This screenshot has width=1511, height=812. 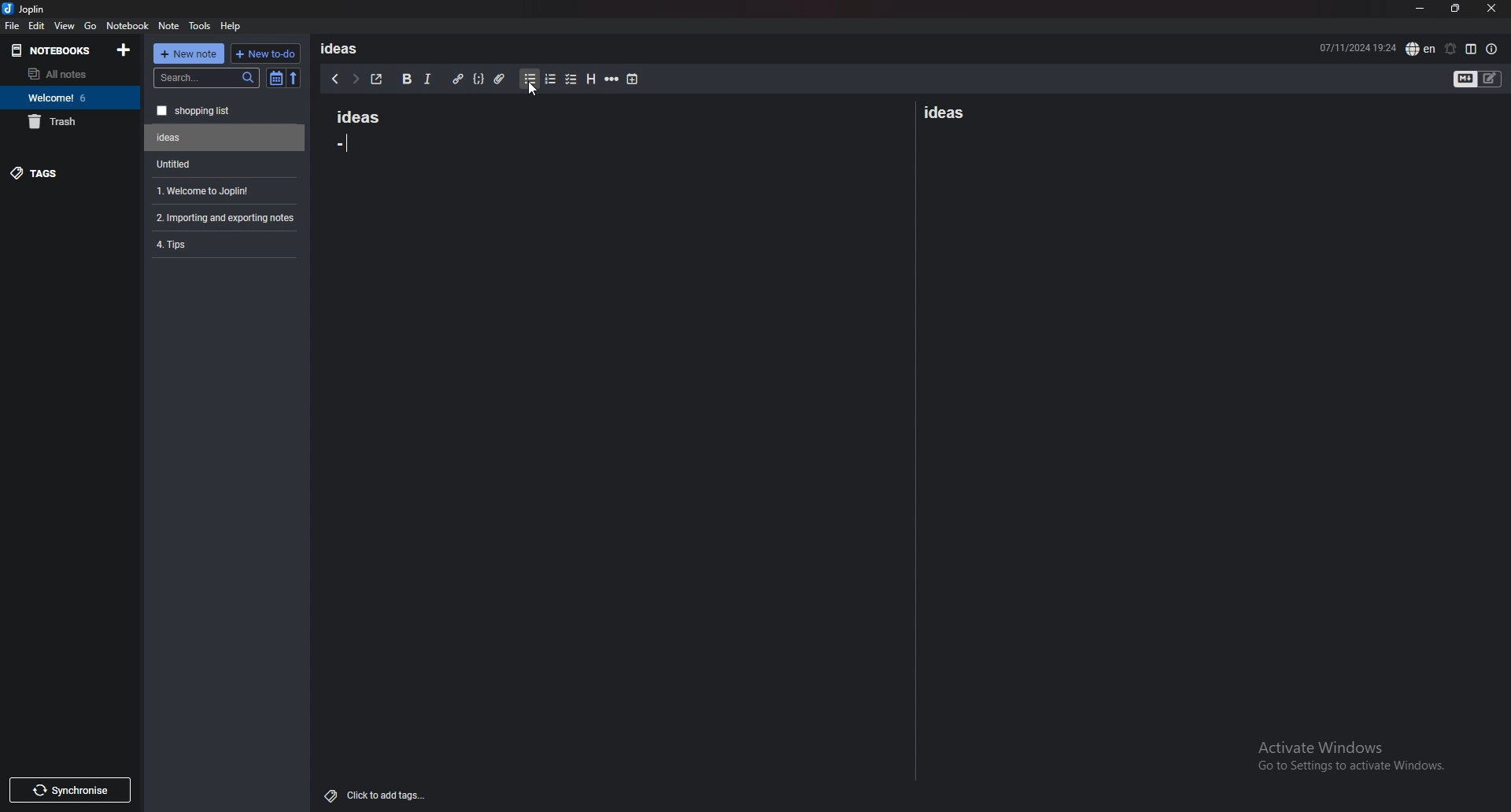 What do you see at coordinates (222, 190) in the screenshot?
I see `Welcome to Joplin` at bounding box center [222, 190].